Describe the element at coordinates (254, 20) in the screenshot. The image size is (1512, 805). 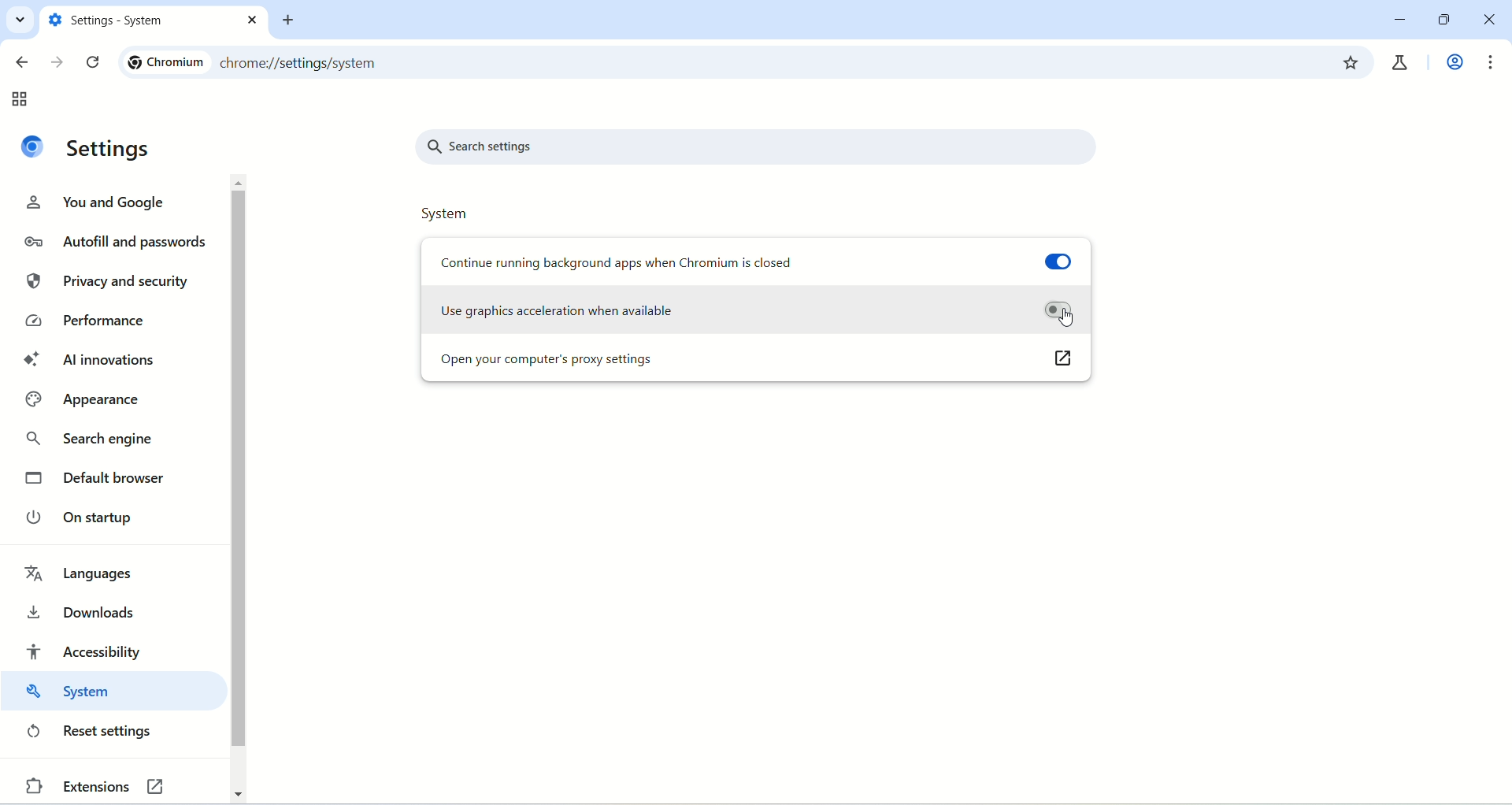
I see `close tab` at that location.